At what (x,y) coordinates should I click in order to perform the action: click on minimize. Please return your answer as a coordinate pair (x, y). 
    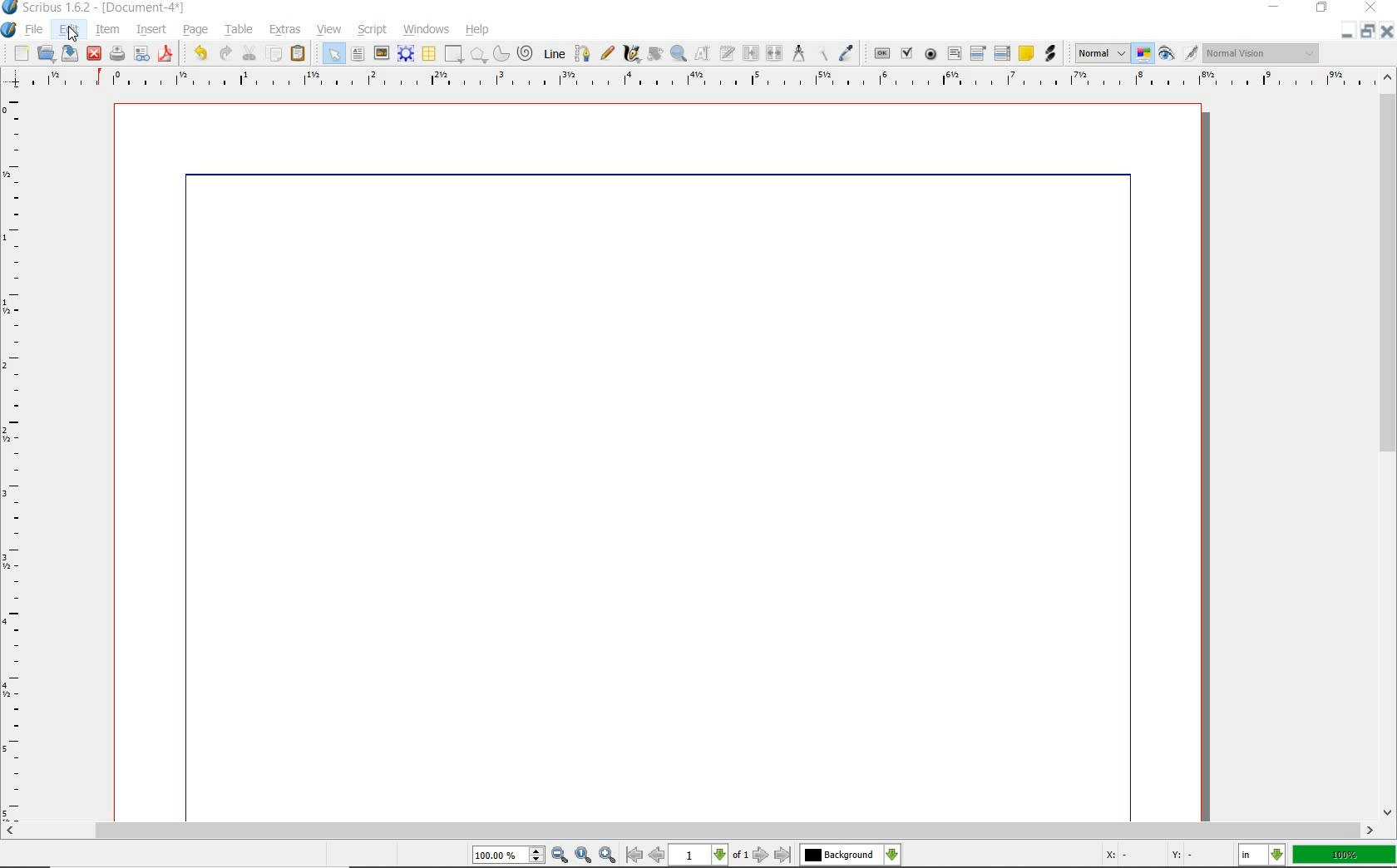
    Looking at the image, I should click on (1276, 8).